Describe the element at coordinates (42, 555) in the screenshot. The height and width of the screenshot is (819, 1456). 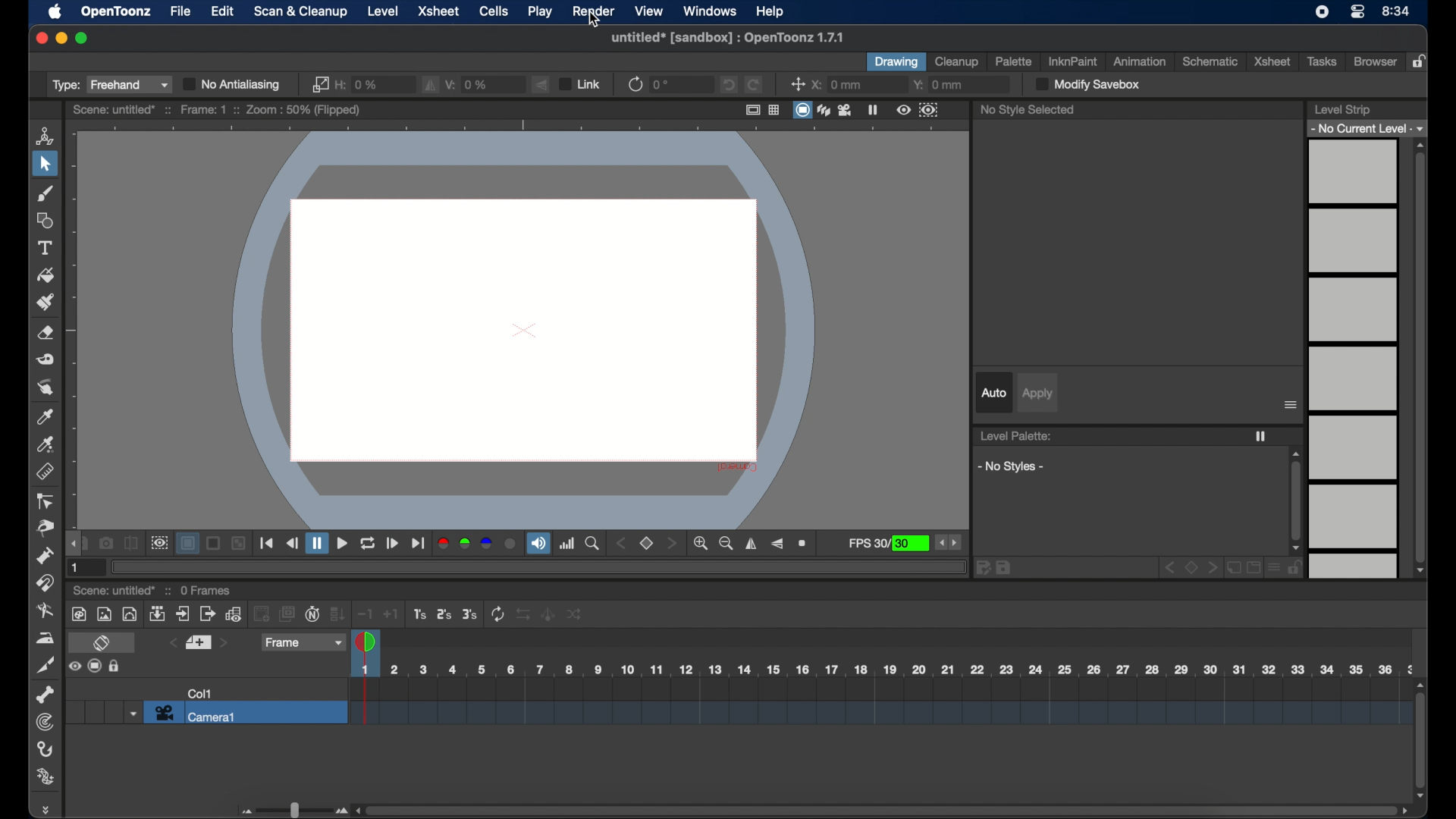
I see `pump tool` at that location.